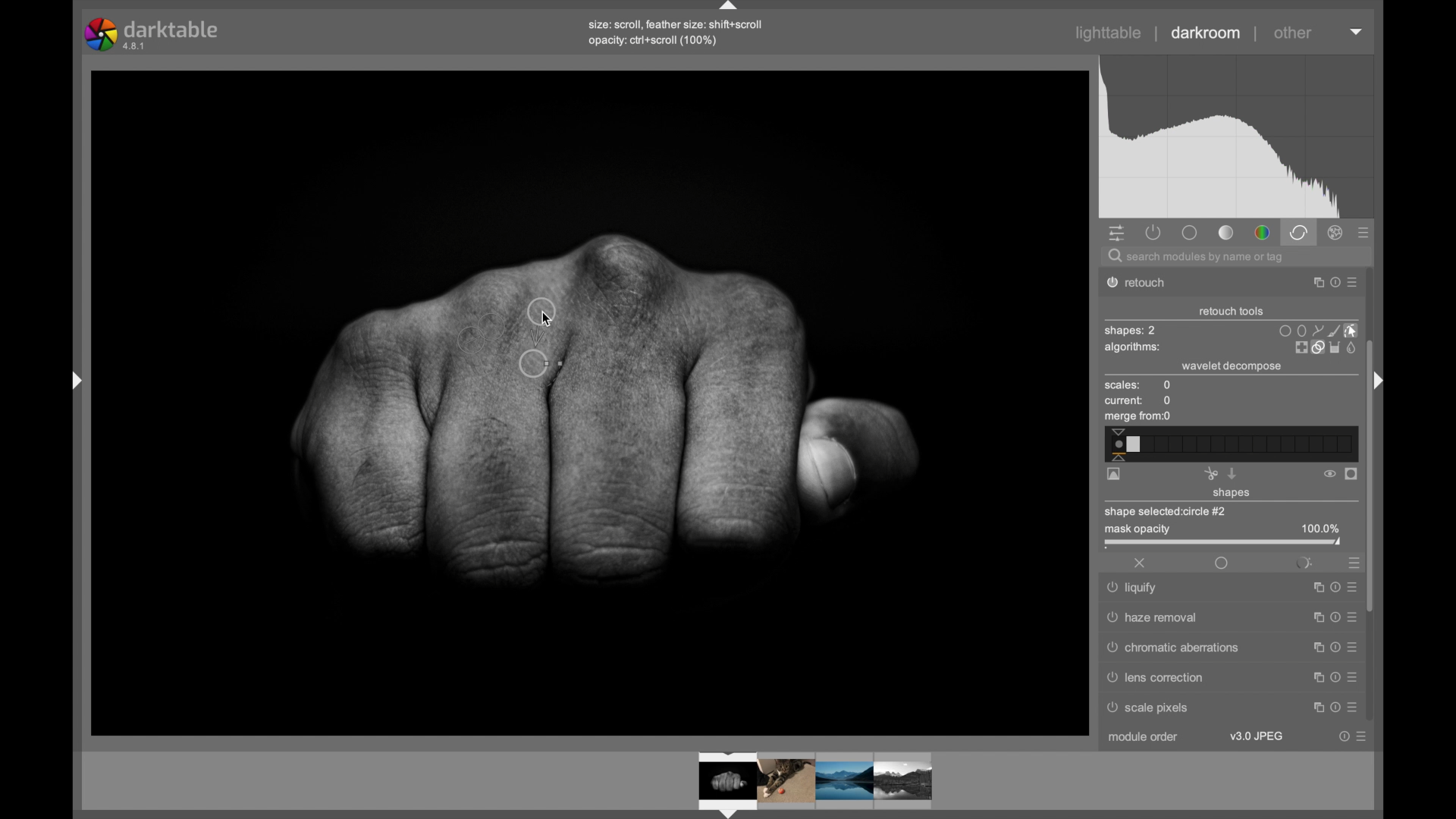 The width and height of the screenshot is (1456, 819). I want to click on base, so click(1189, 232).